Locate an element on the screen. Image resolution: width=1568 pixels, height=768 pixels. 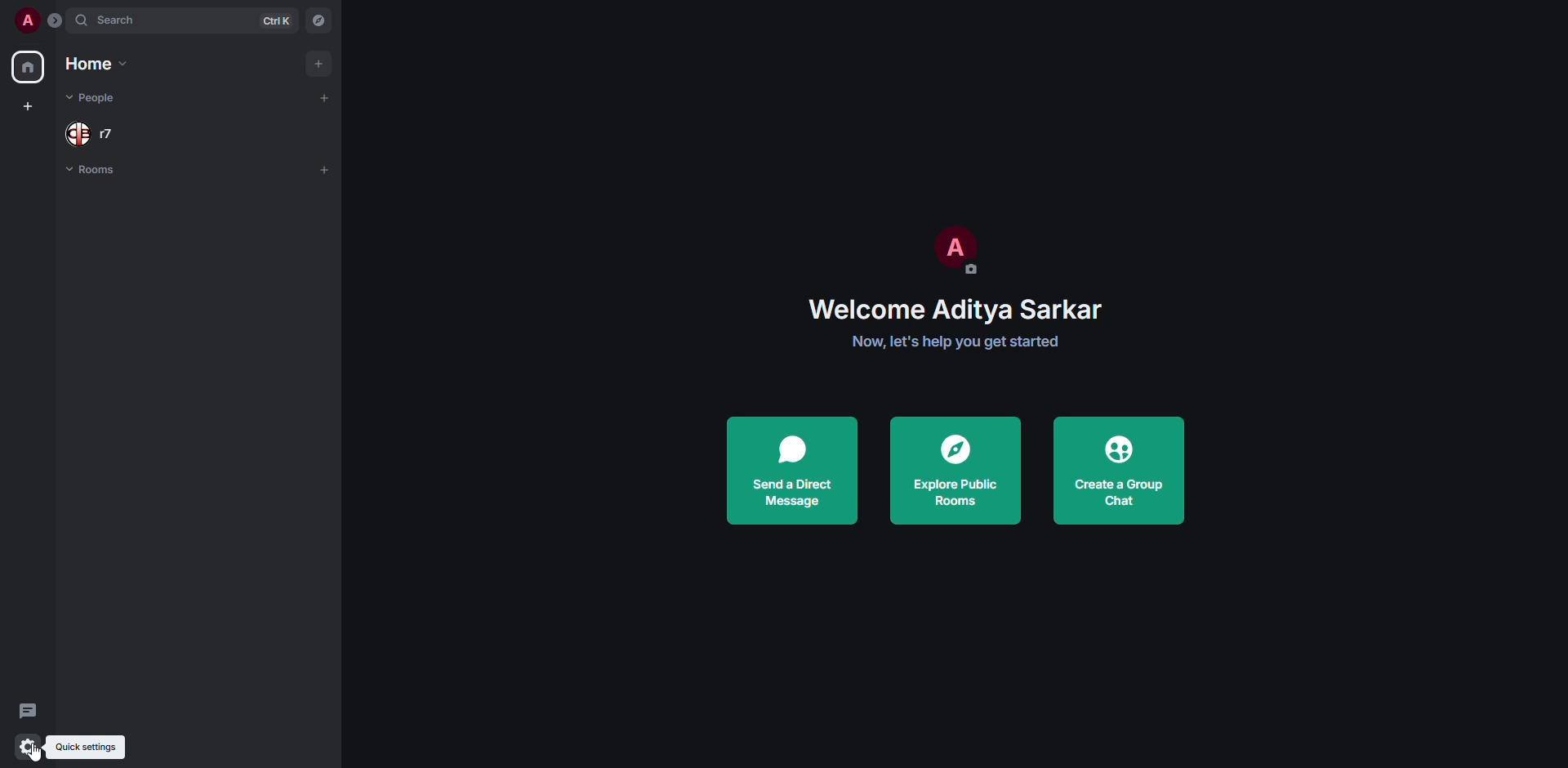
home is located at coordinates (29, 67).